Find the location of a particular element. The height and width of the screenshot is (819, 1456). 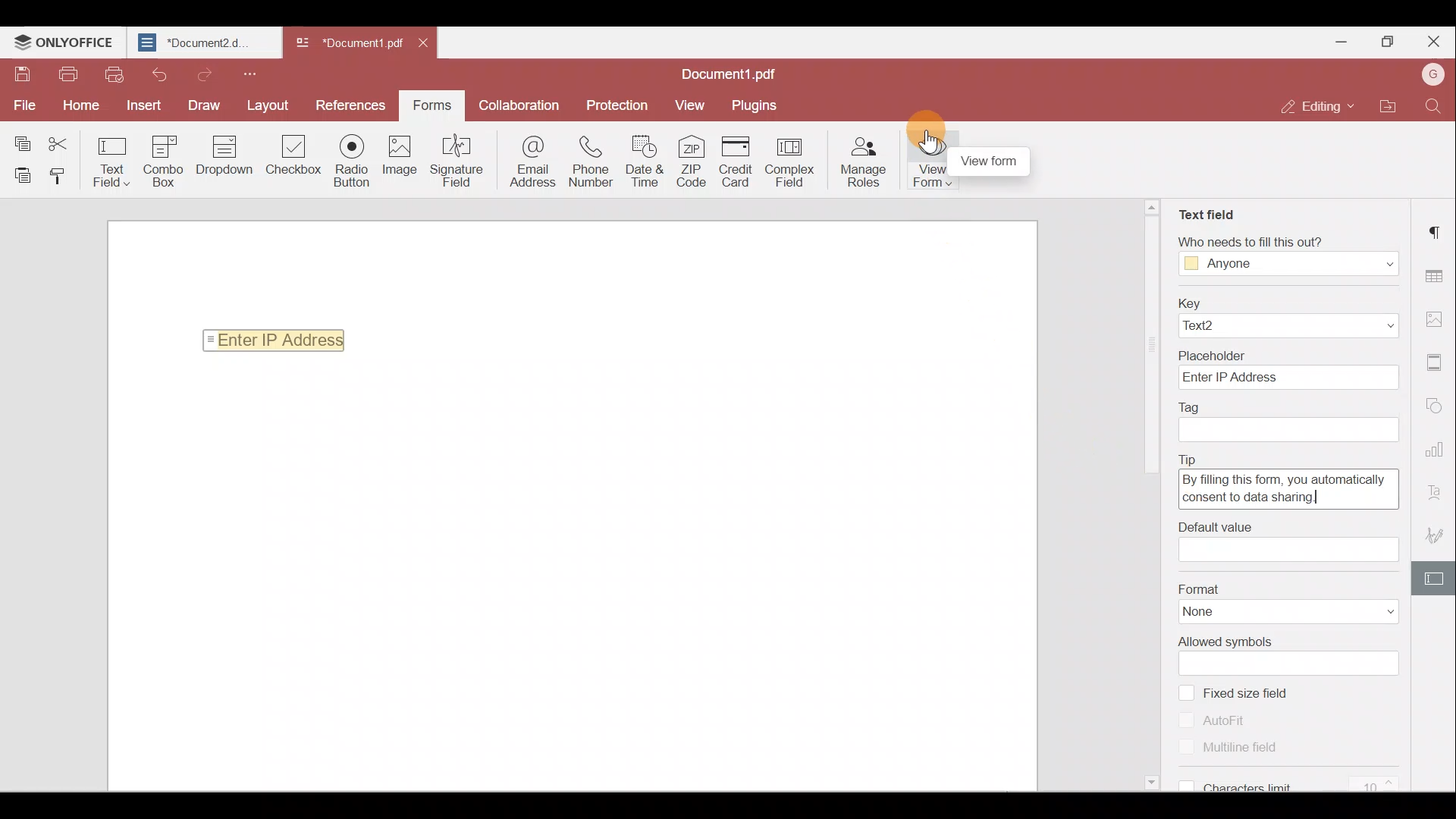

None is located at coordinates (1221, 613).